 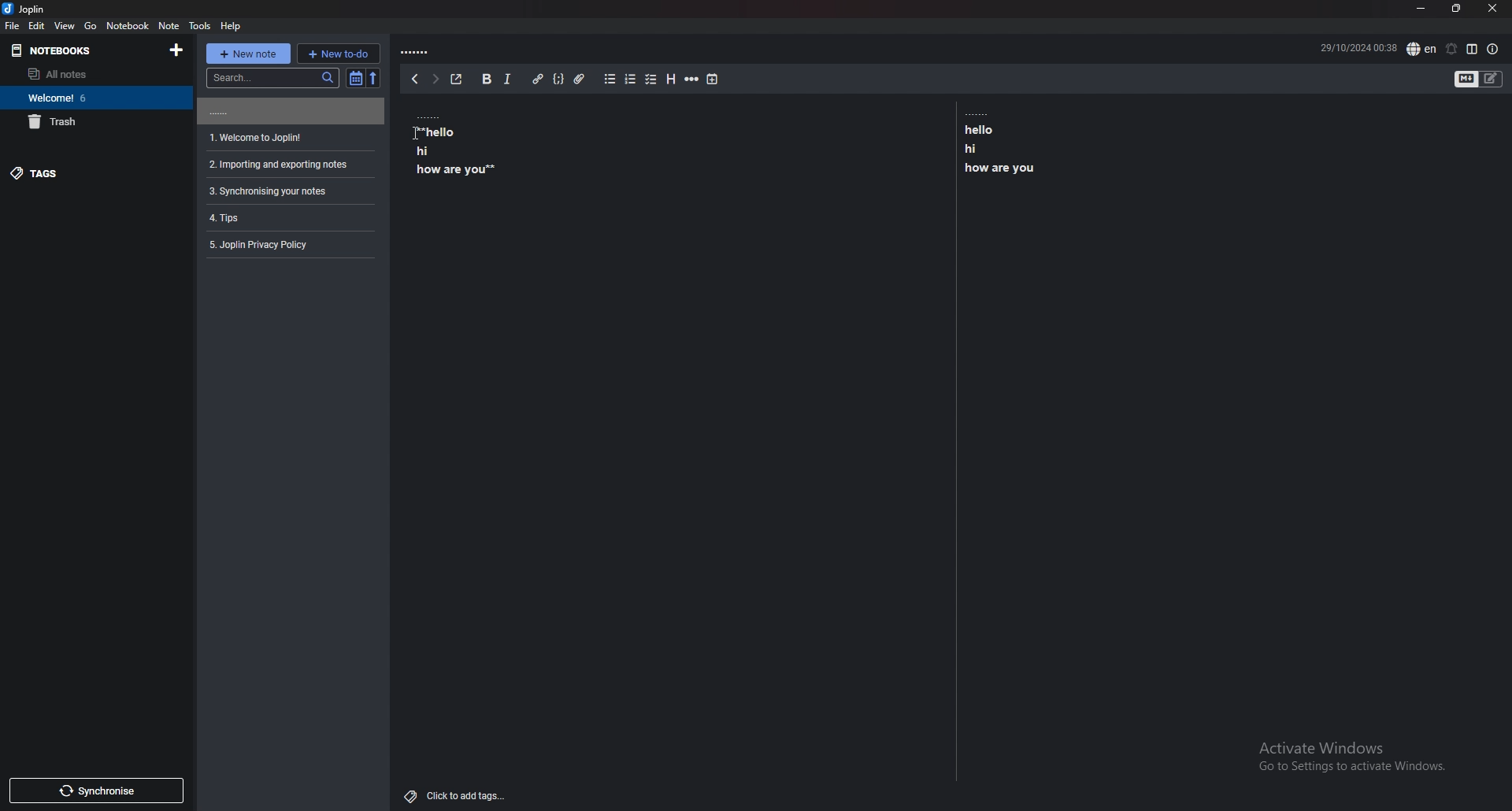 What do you see at coordinates (410, 130) in the screenshot?
I see `` at bounding box center [410, 130].